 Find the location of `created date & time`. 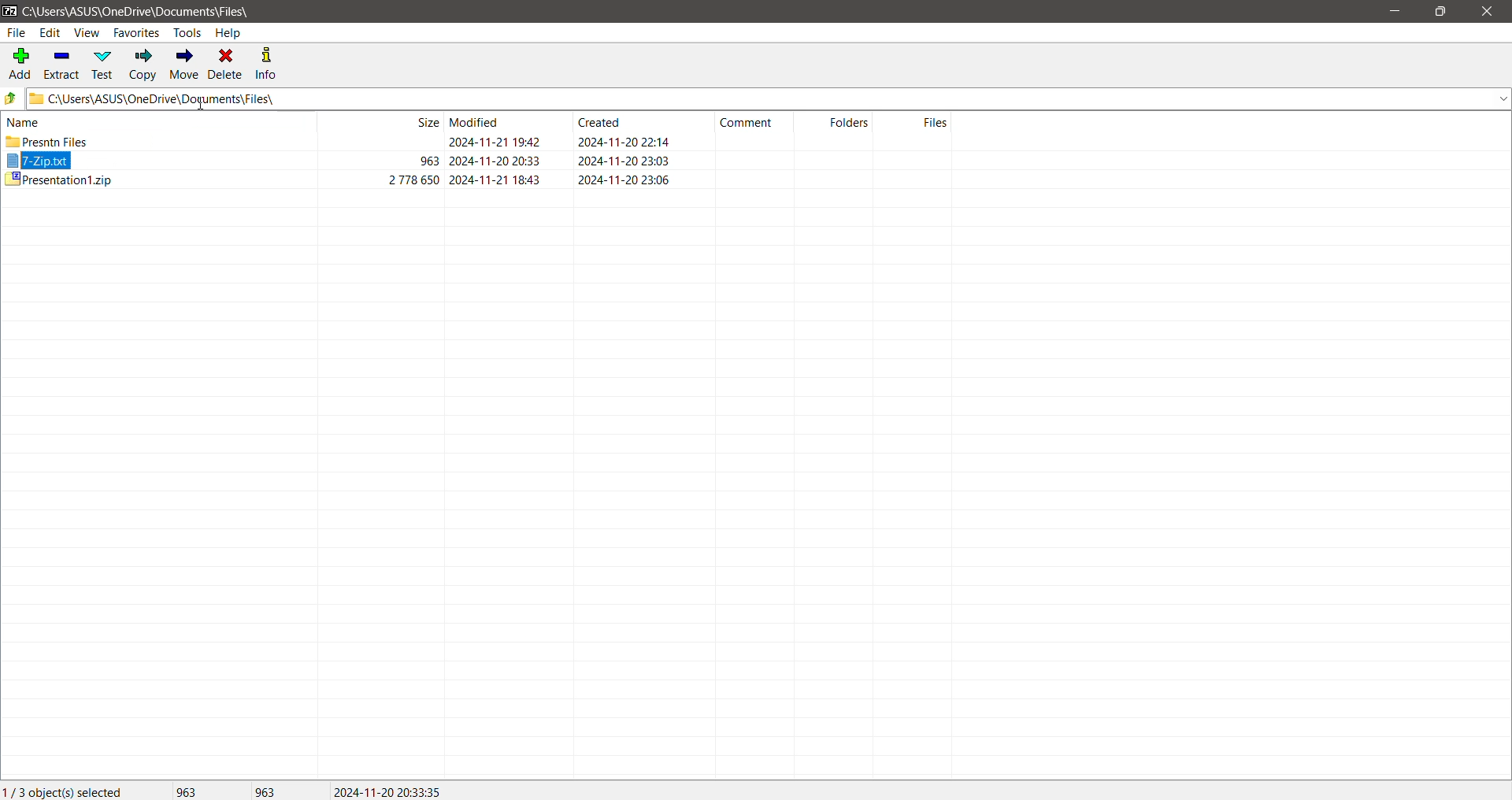

created date & time is located at coordinates (625, 141).